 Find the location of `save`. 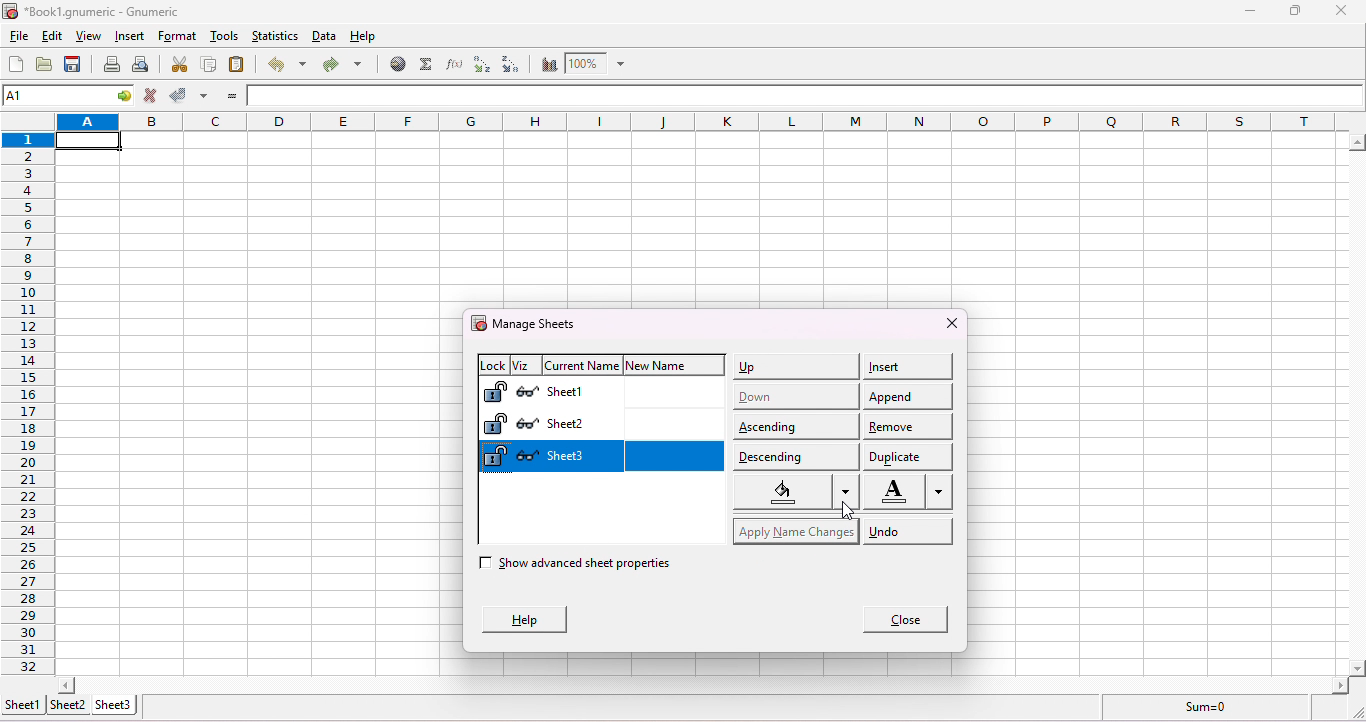

save is located at coordinates (76, 65).